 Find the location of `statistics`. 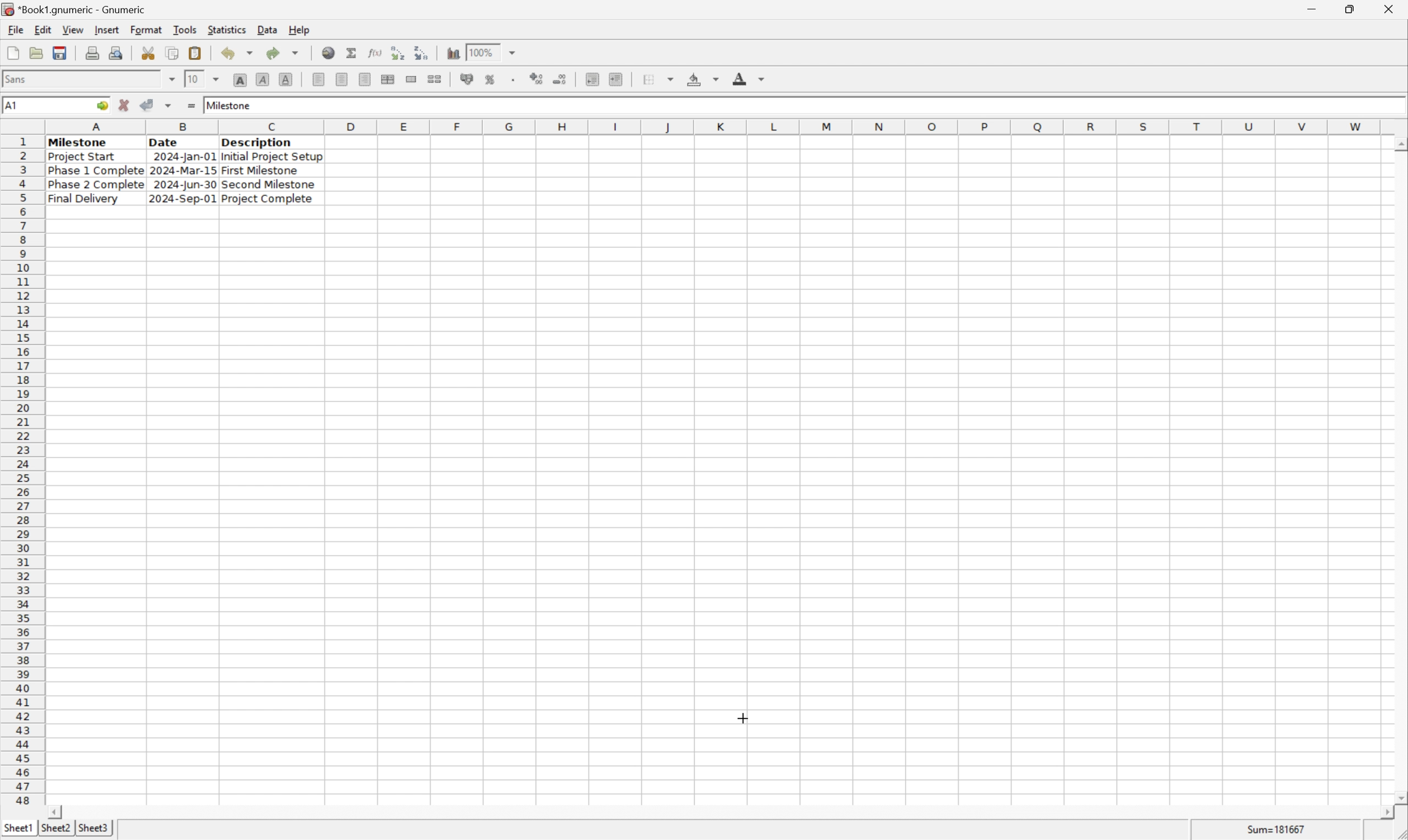

statistics is located at coordinates (228, 29).